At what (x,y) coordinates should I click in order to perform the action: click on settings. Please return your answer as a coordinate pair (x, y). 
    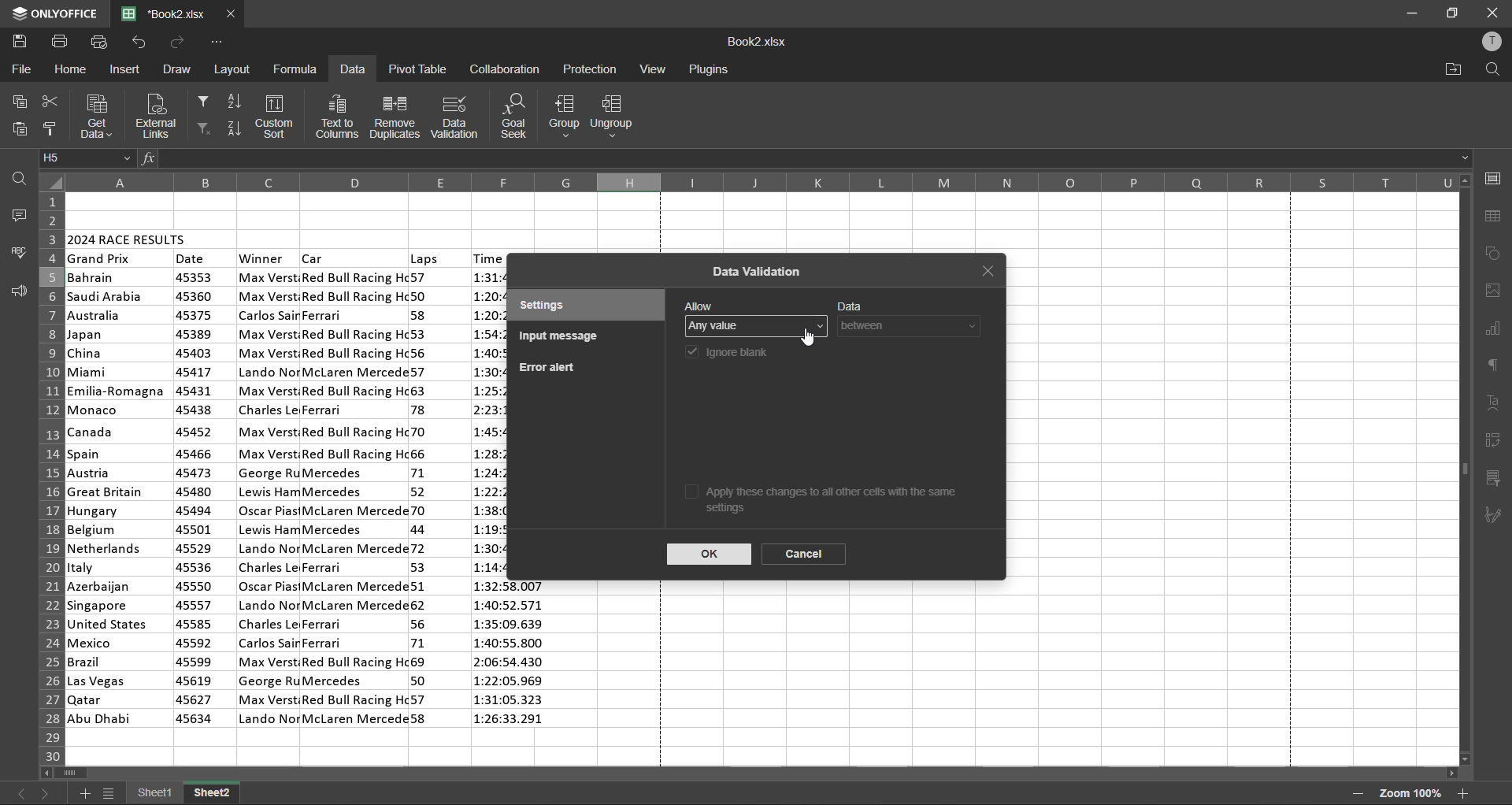
    Looking at the image, I should click on (569, 306).